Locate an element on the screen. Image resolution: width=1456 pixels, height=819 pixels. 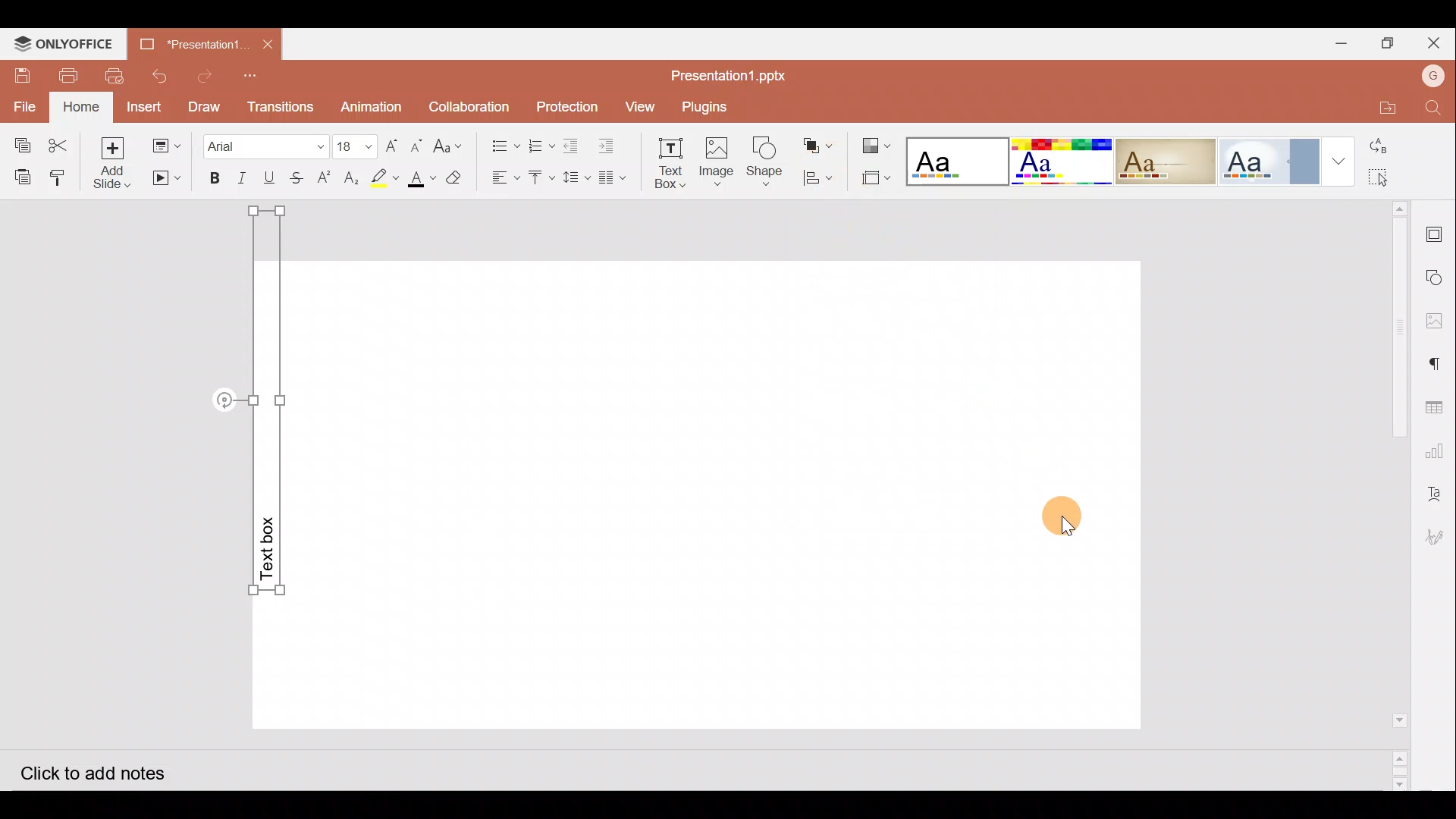
Select slide size is located at coordinates (870, 180).